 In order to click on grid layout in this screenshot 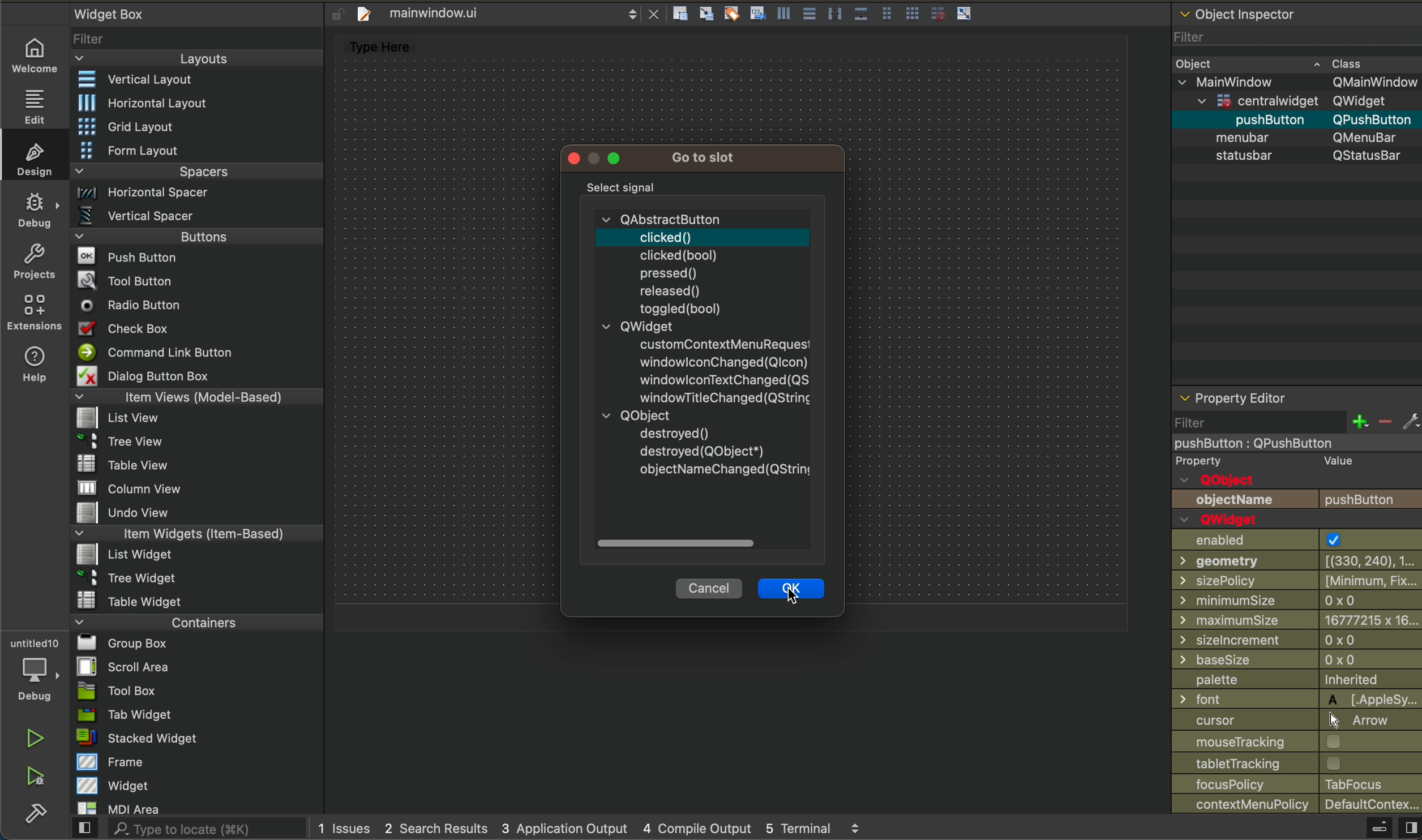, I will do `click(199, 126)`.